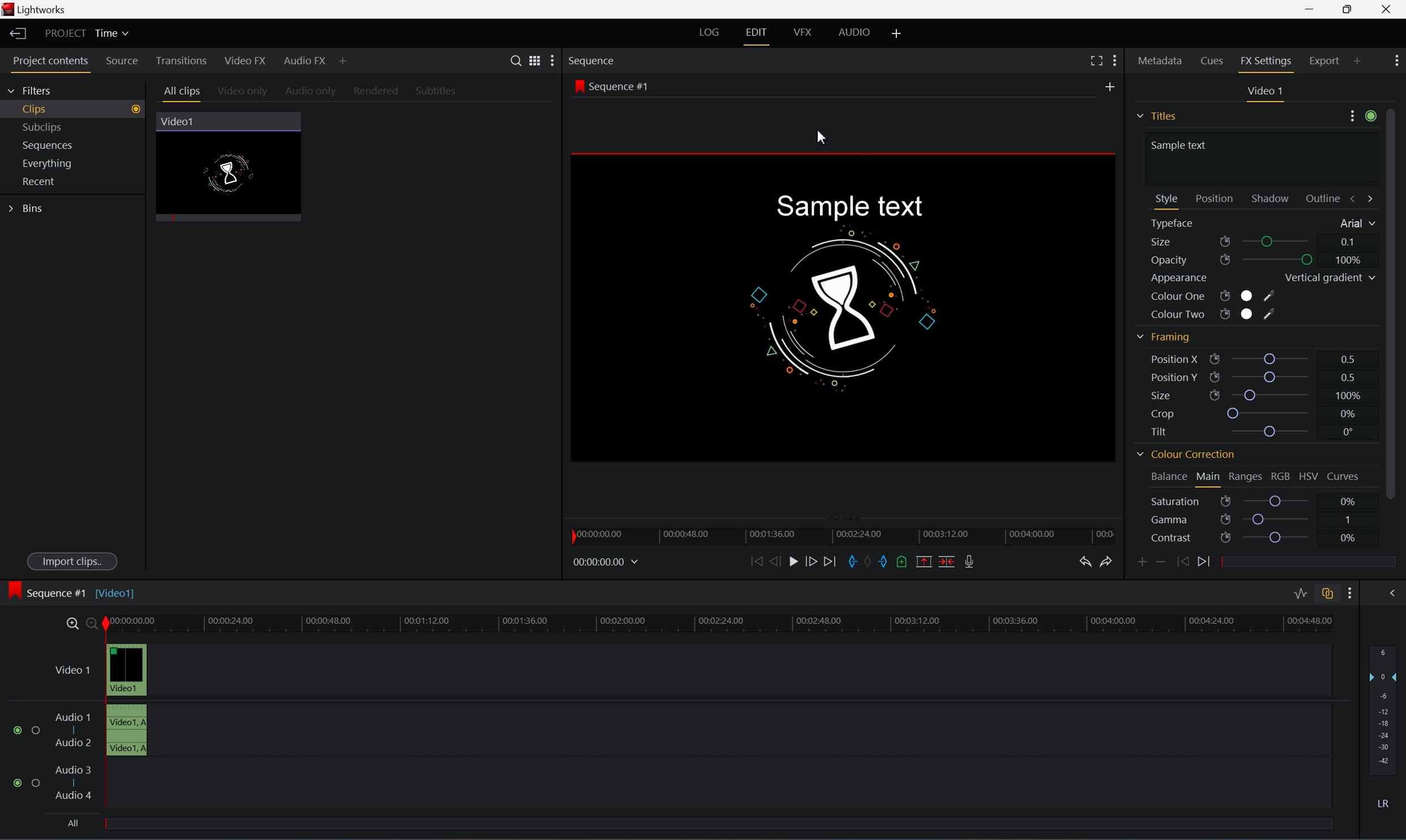 The image size is (1406, 840). What do you see at coordinates (59, 590) in the screenshot?
I see `sequence#1` at bounding box center [59, 590].